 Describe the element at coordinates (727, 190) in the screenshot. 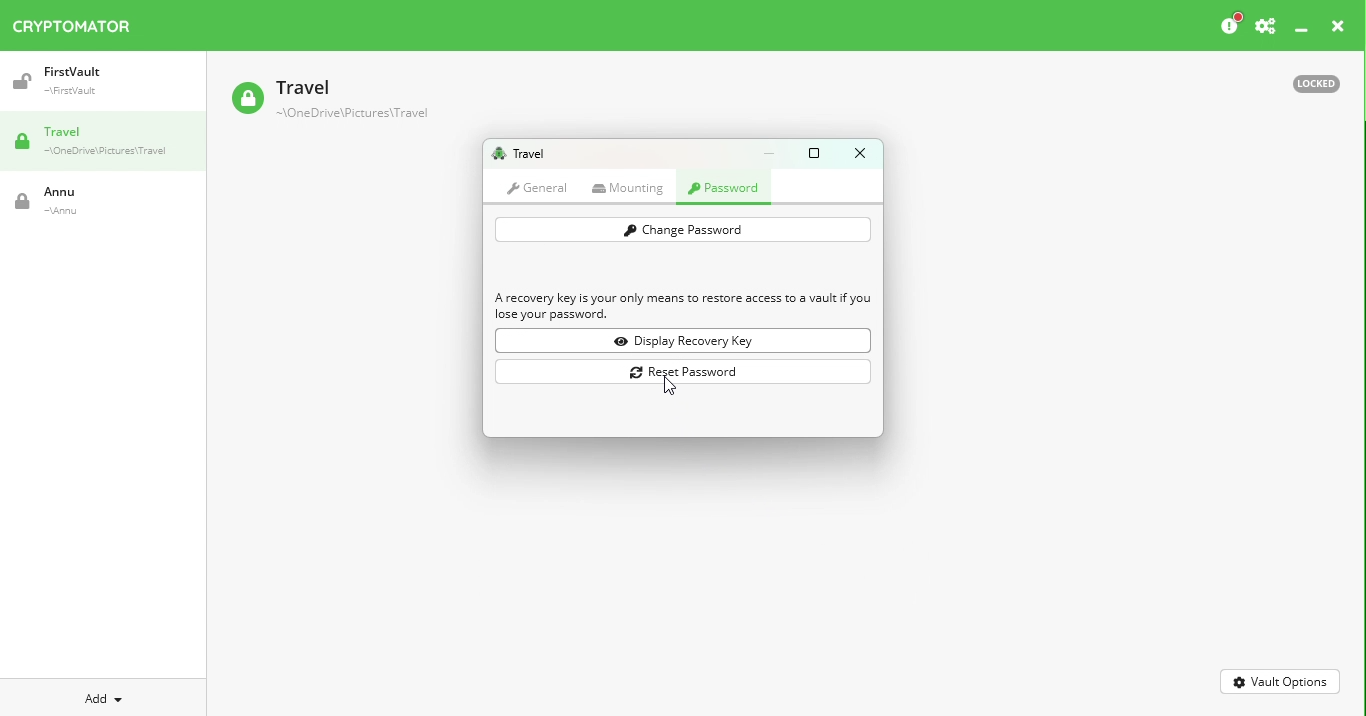

I see `mouse on Password` at that location.